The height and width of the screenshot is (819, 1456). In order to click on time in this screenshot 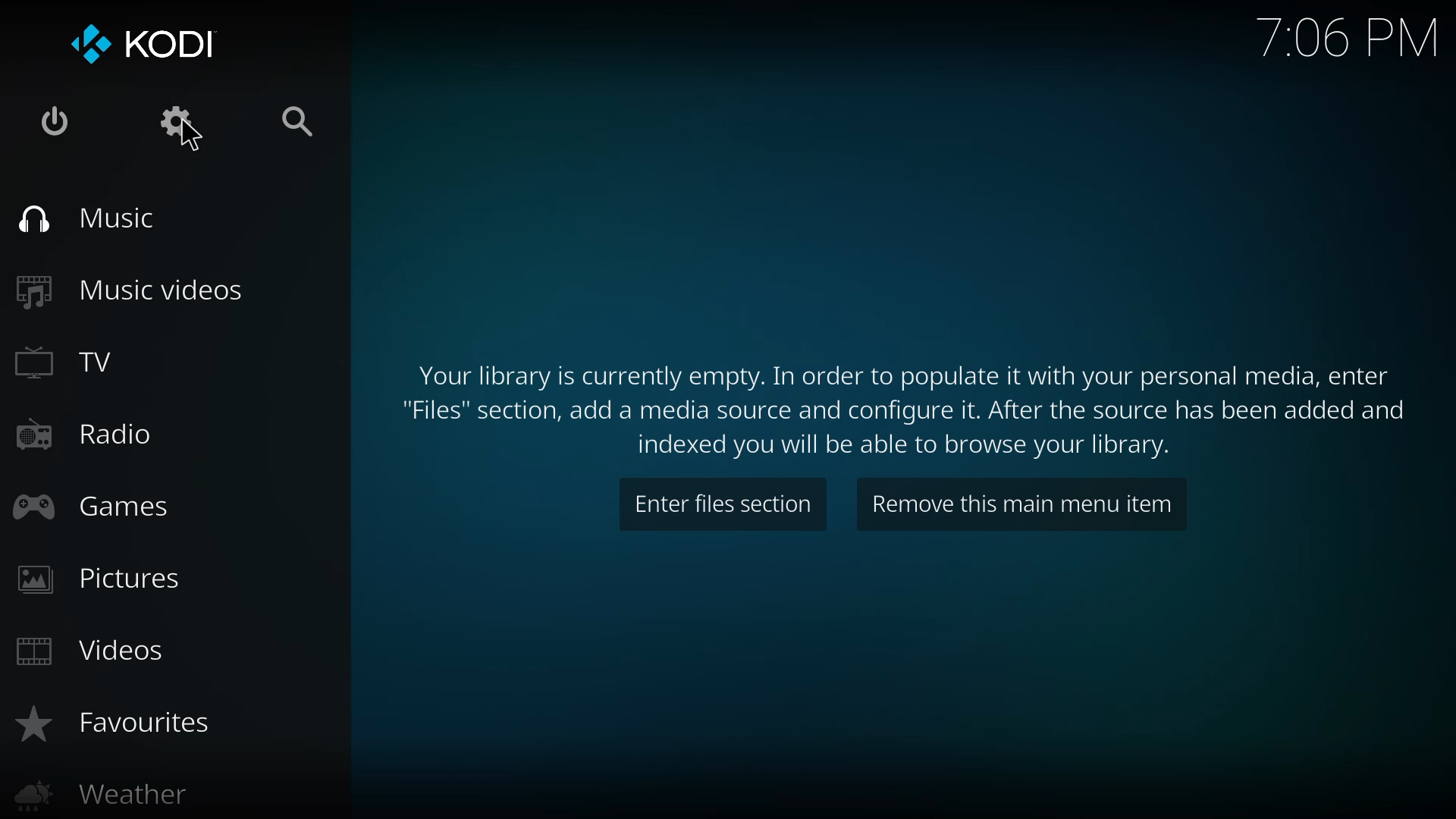, I will do `click(1351, 36)`.